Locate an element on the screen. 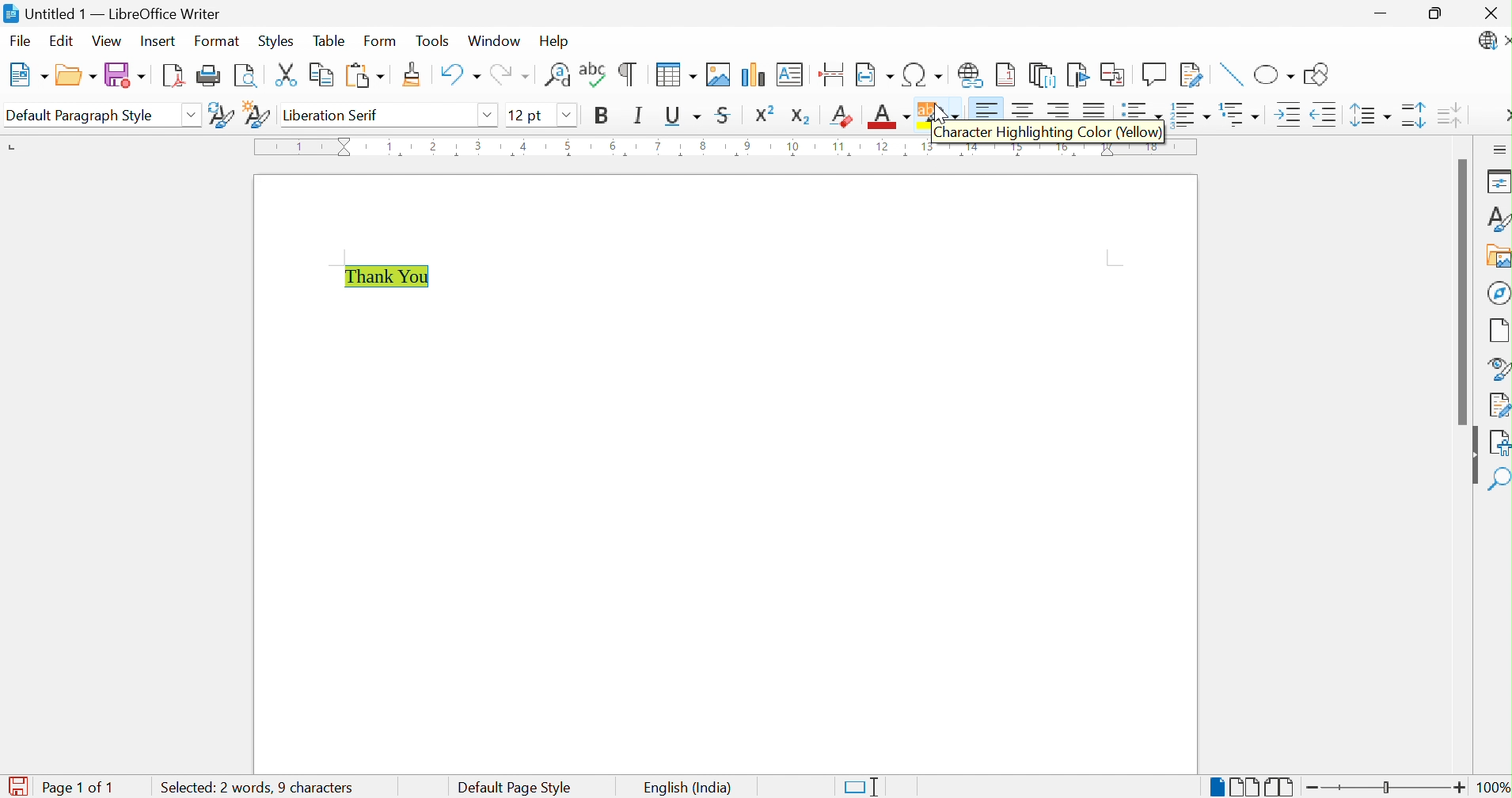 This screenshot has width=1512, height=798. Bold is located at coordinates (602, 113).